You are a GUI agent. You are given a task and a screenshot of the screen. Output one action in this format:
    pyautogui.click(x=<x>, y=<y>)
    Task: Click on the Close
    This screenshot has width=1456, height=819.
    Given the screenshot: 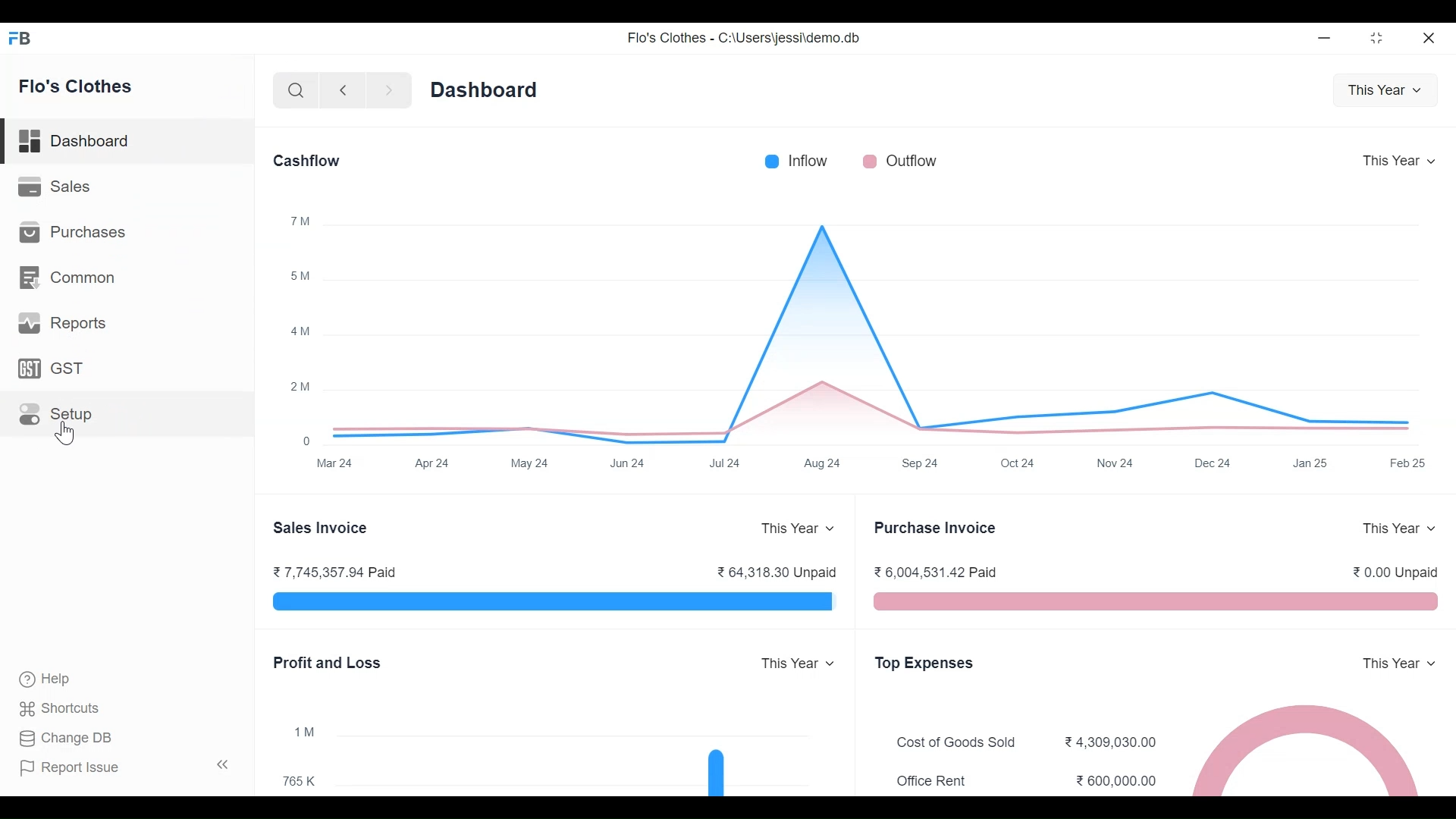 What is the action you would take?
    pyautogui.click(x=1431, y=36)
    